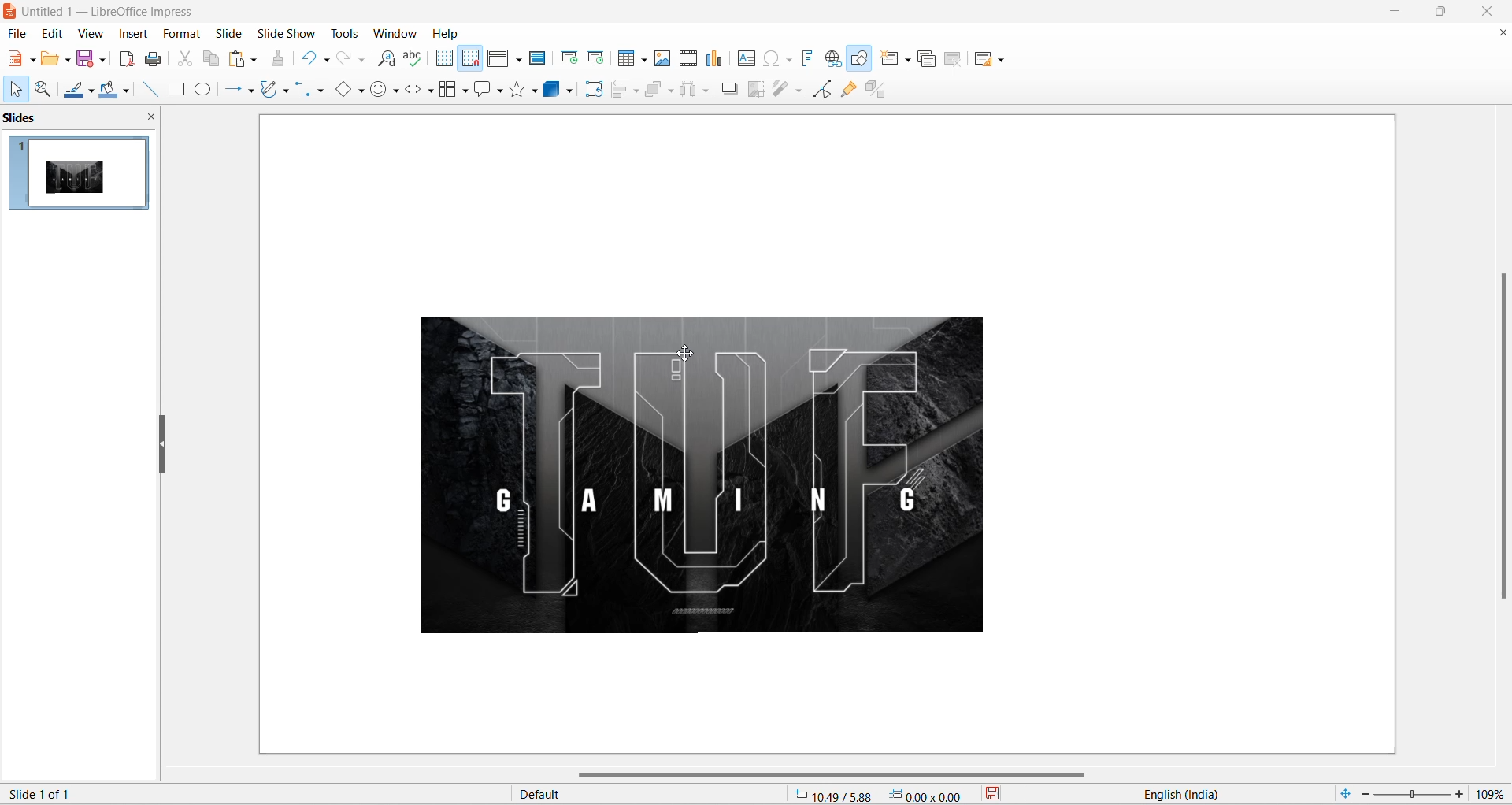 The width and height of the screenshot is (1512, 805). Describe the element at coordinates (862, 60) in the screenshot. I see `draw shapes ` at that location.